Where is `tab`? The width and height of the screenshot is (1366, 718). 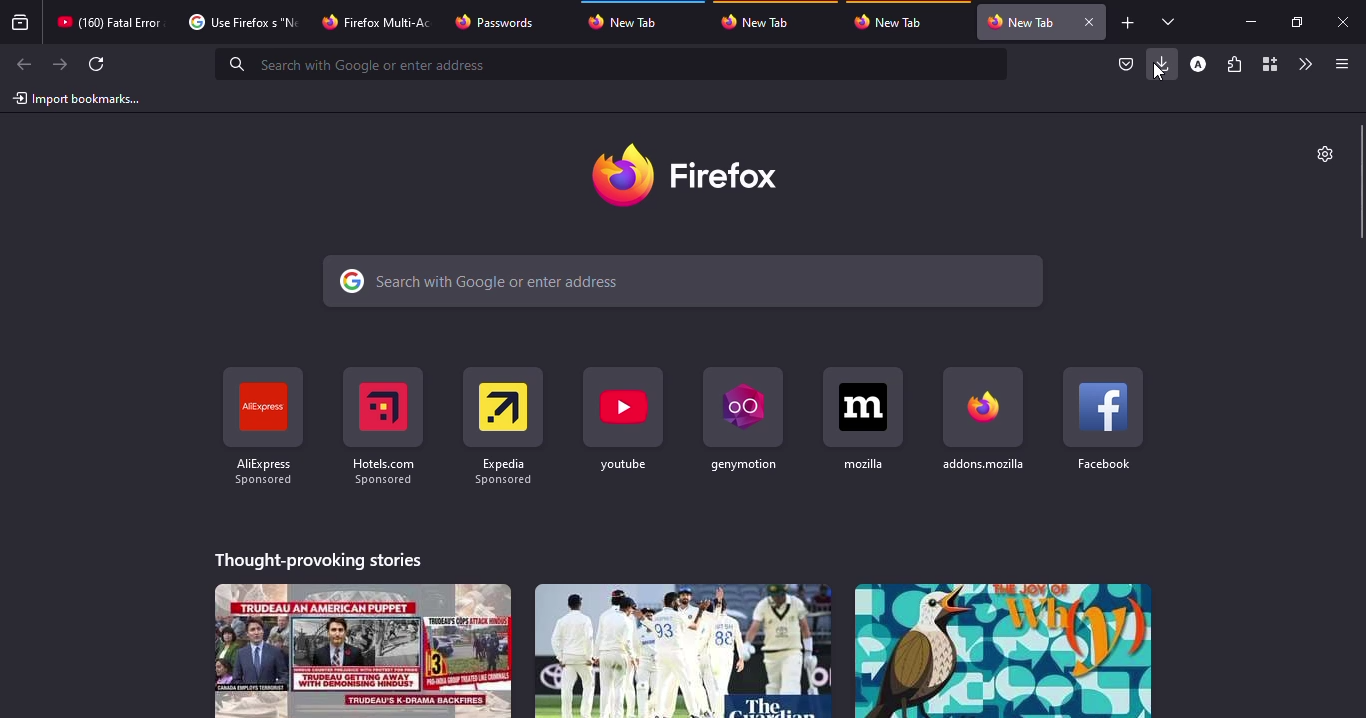
tab is located at coordinates (894, 22).